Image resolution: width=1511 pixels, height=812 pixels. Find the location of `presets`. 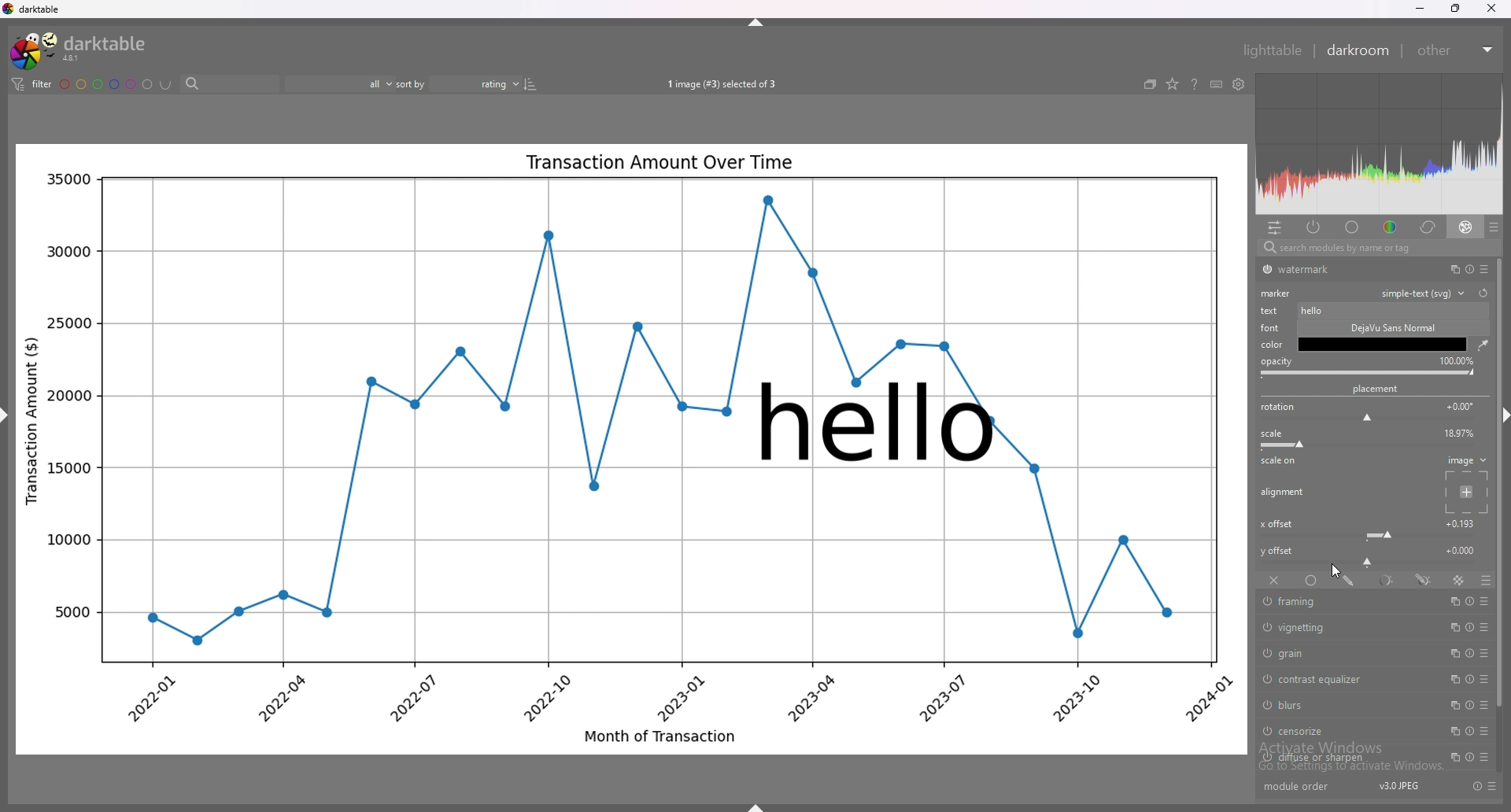

presets is located at coordinates (1487, 706).